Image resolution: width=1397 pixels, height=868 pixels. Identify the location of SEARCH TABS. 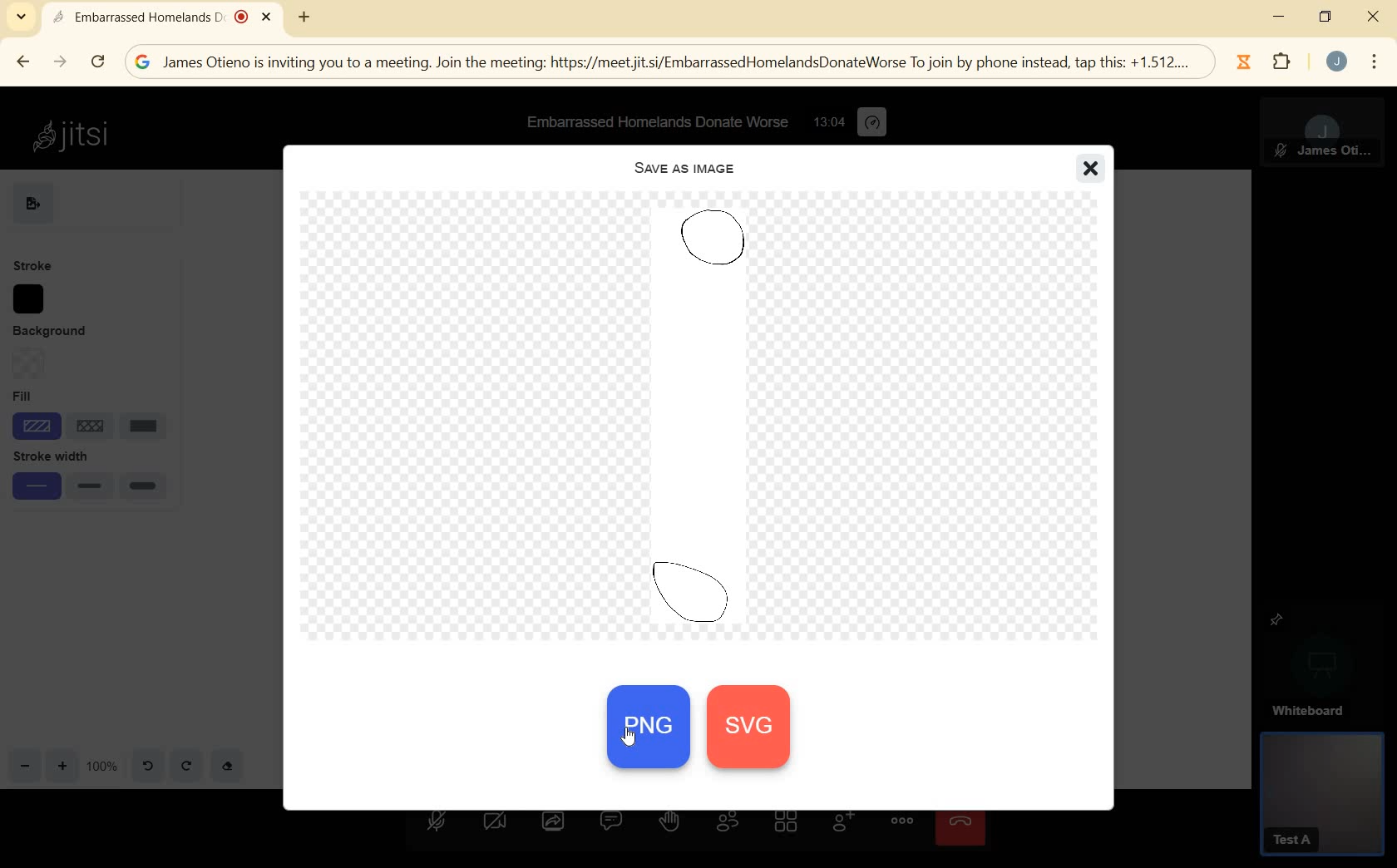
(20, 18).